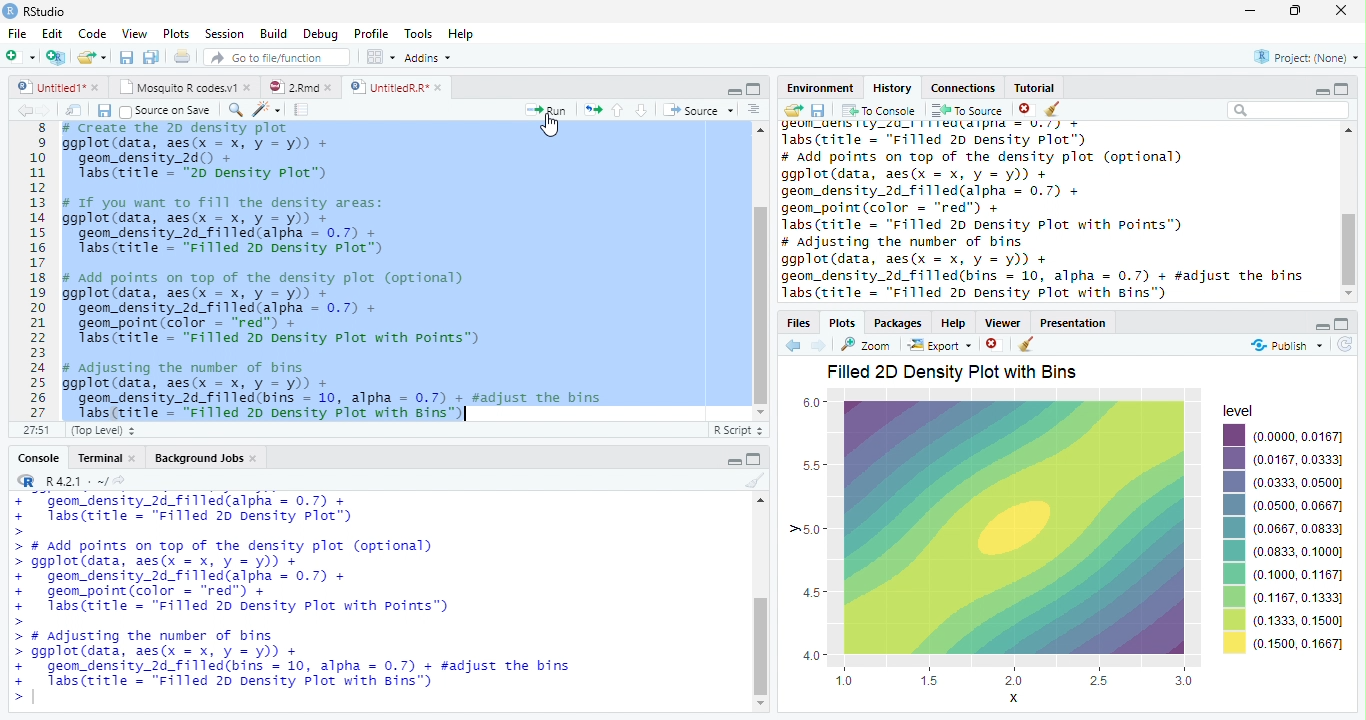  What do you see at coordinates (1342, 88) in the screenshot?
I see `maximize` at bounding box center [1342, 88].